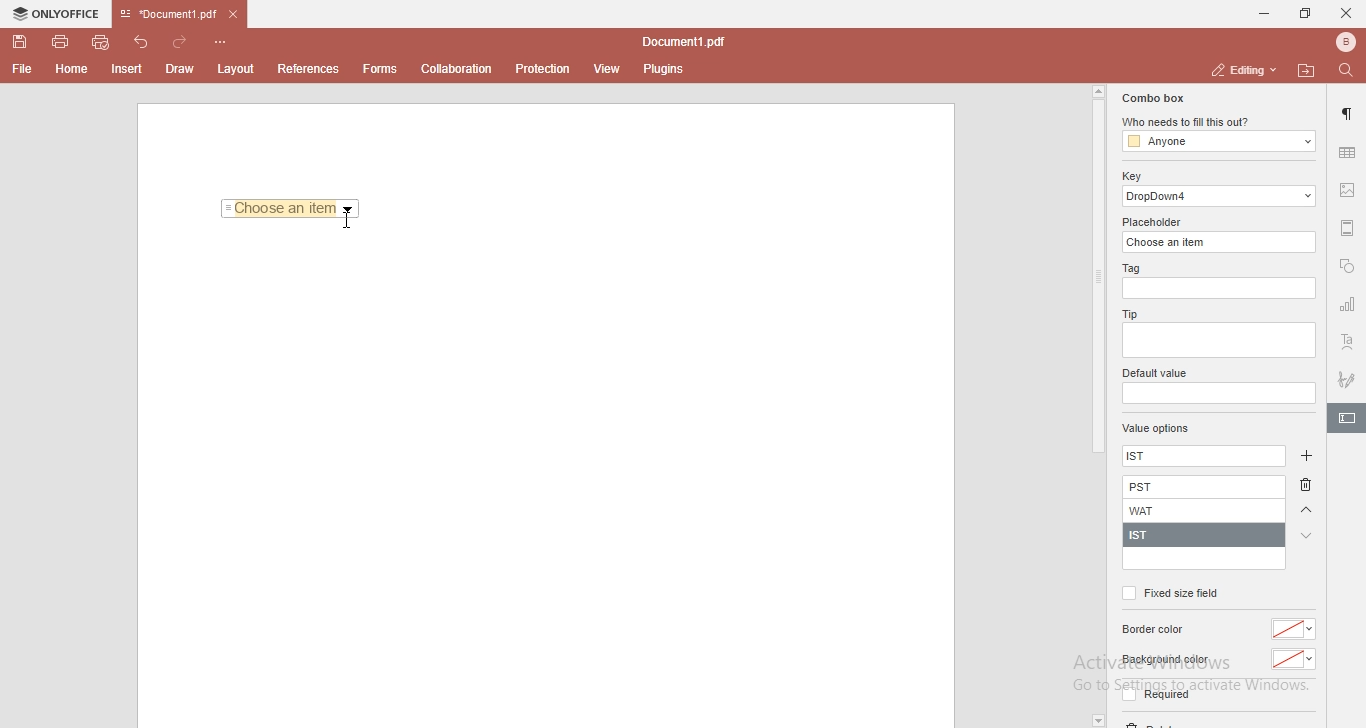 The image size is (1366, 728). Describe the element at coordinates (1217, 142) in the screenshot. I see `anyone` at that location.